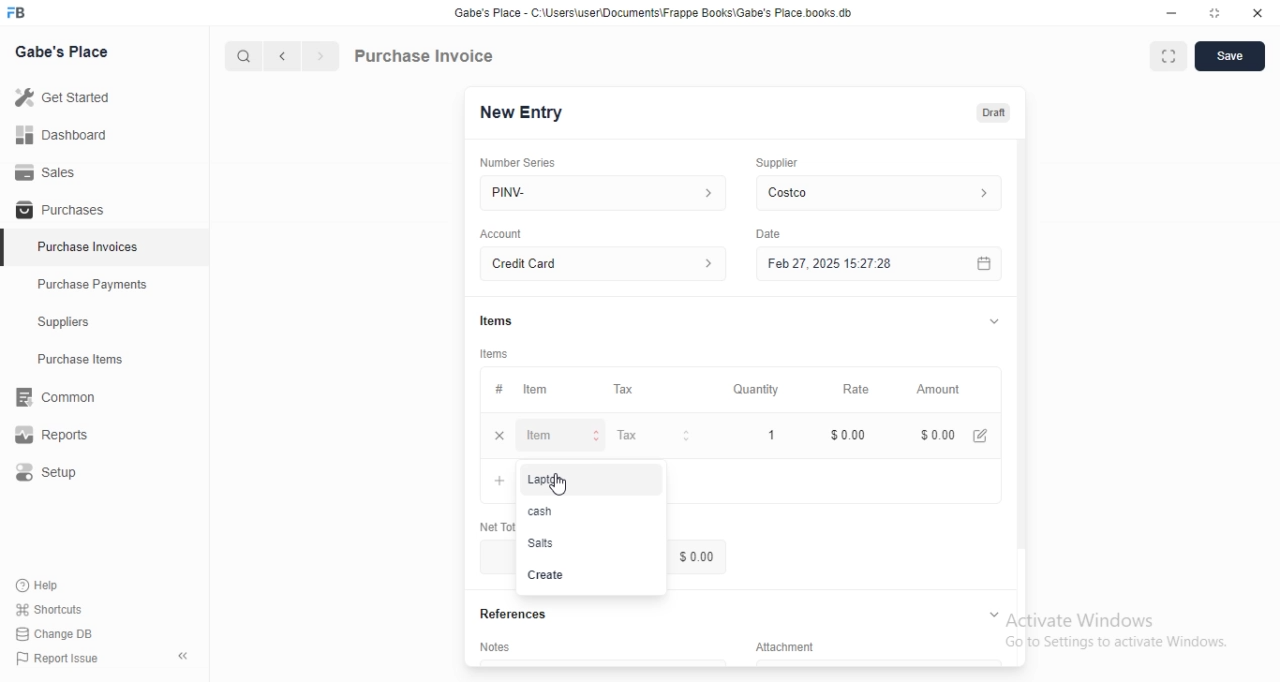 This screenshot has width=1280, height=682. What do you see at coordinates (750, 389) in the screenshot?
I see `Quantity` at bounding box center [750, 389].